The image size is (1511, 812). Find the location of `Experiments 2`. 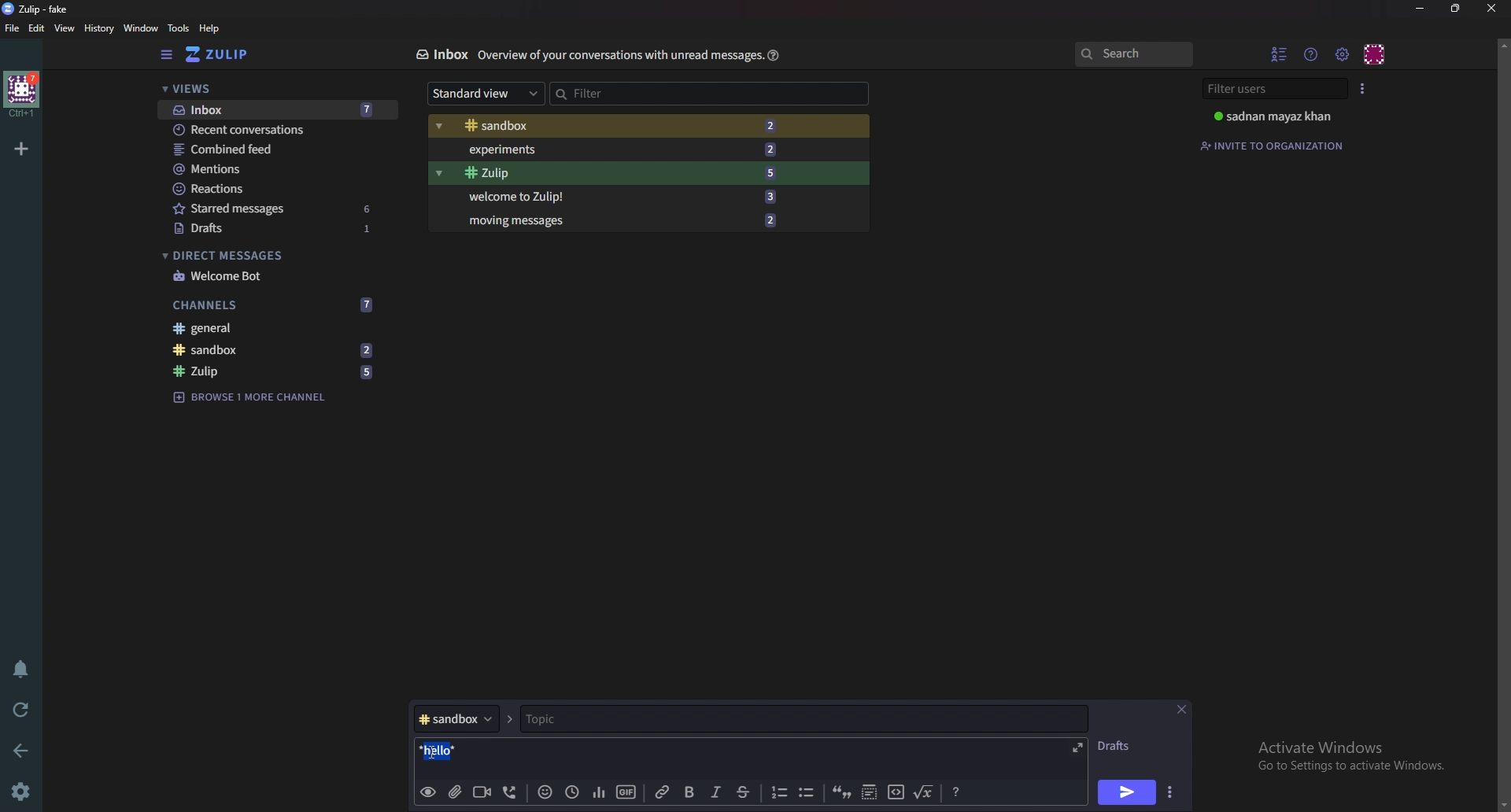

Experiments 2 is located at coordinates (619, 149).